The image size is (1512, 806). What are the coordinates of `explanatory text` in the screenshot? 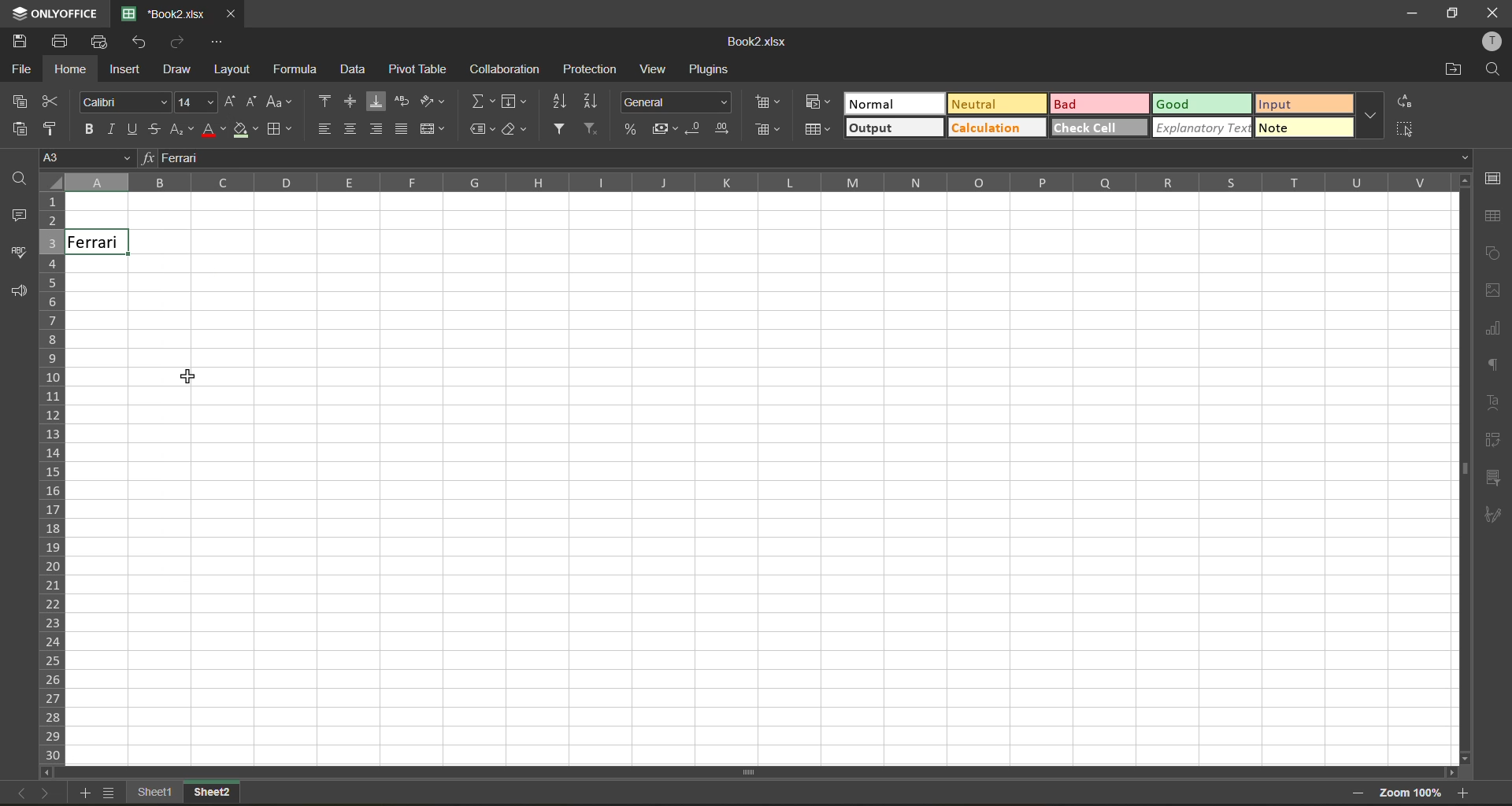 It's located at (1203, 128).